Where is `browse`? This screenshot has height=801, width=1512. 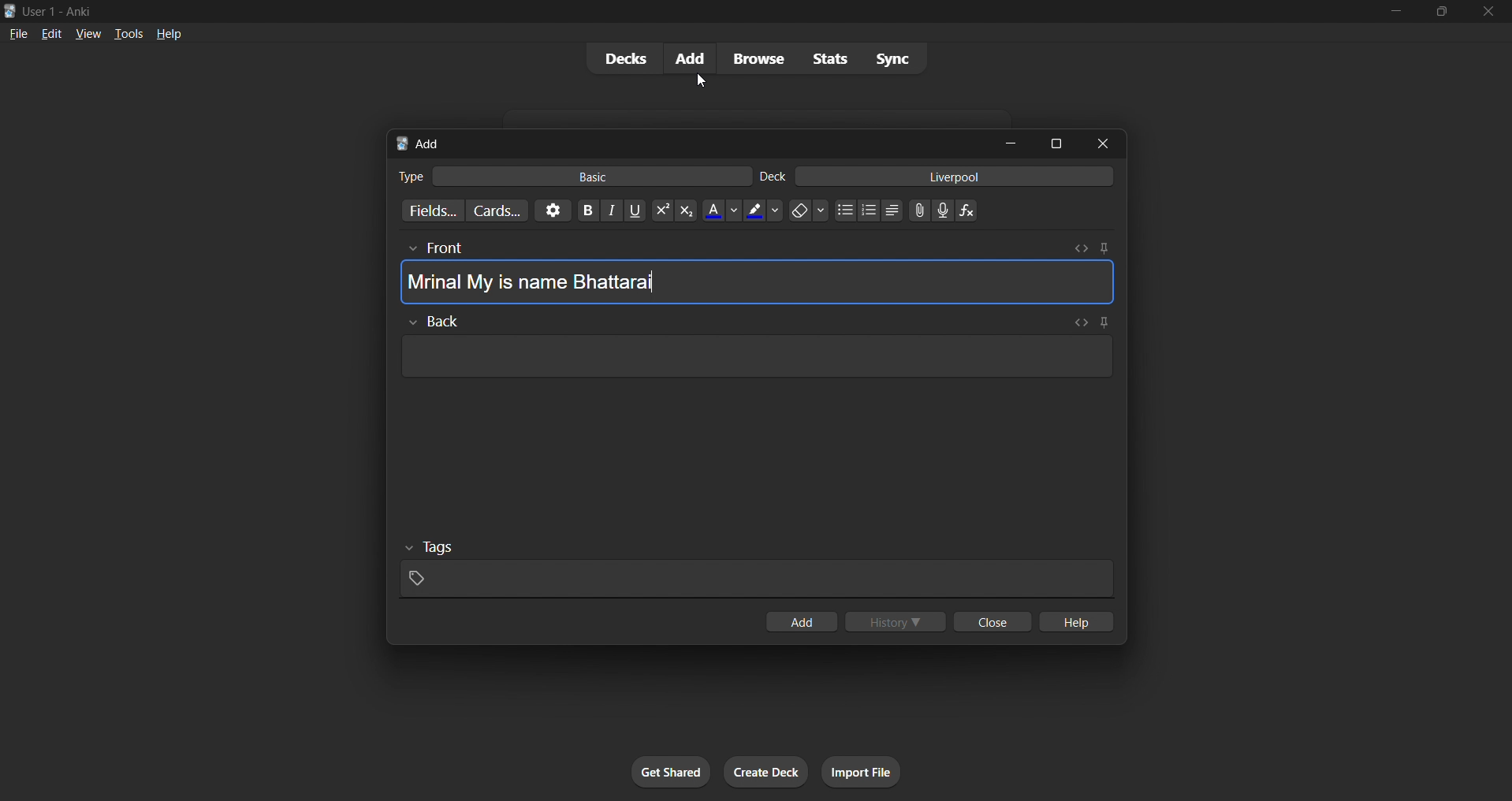 browse is located at coordinates (752, 58).